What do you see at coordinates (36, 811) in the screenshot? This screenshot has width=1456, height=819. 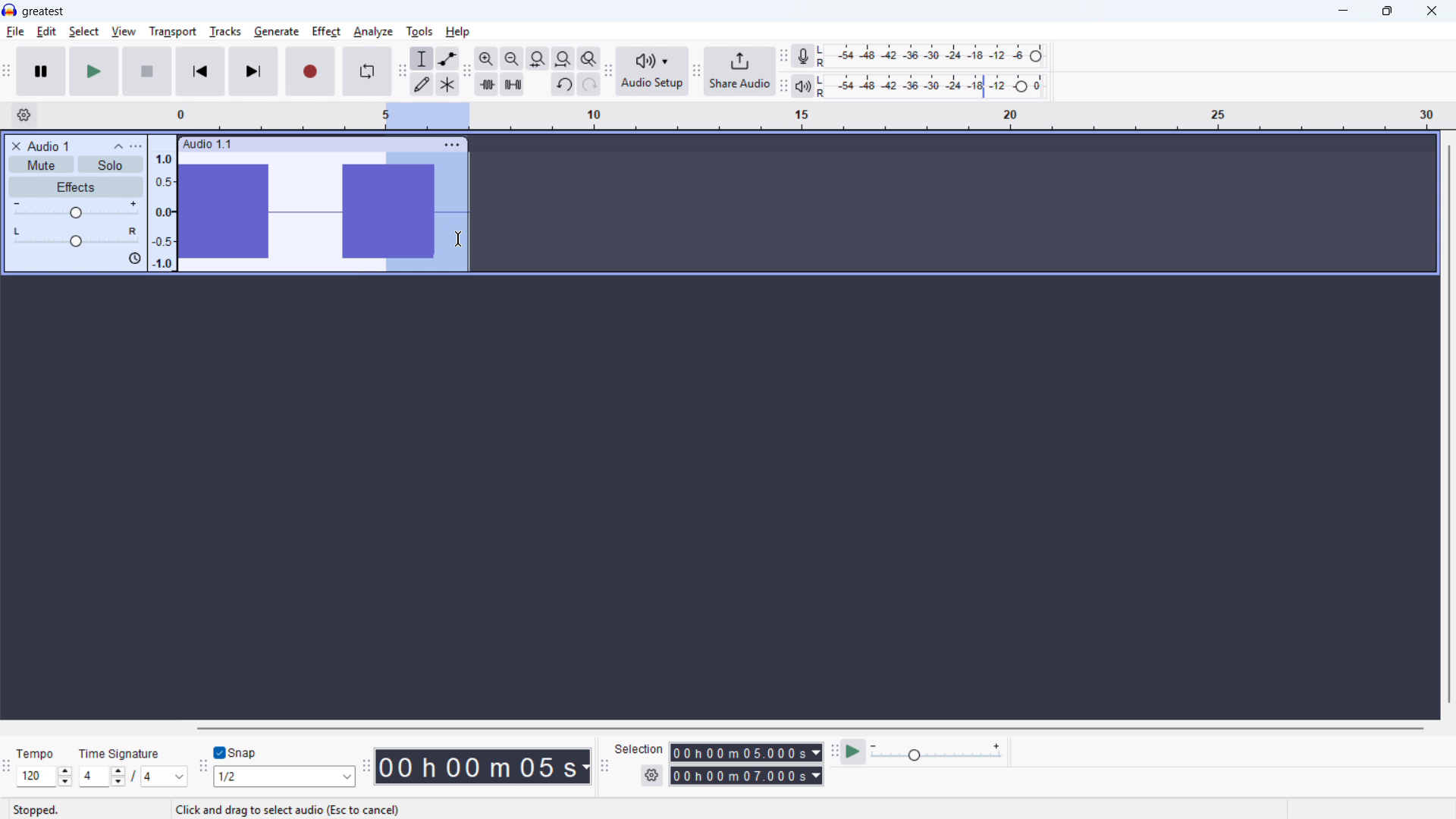 I see `stopped` at bounding box center [36, 811].